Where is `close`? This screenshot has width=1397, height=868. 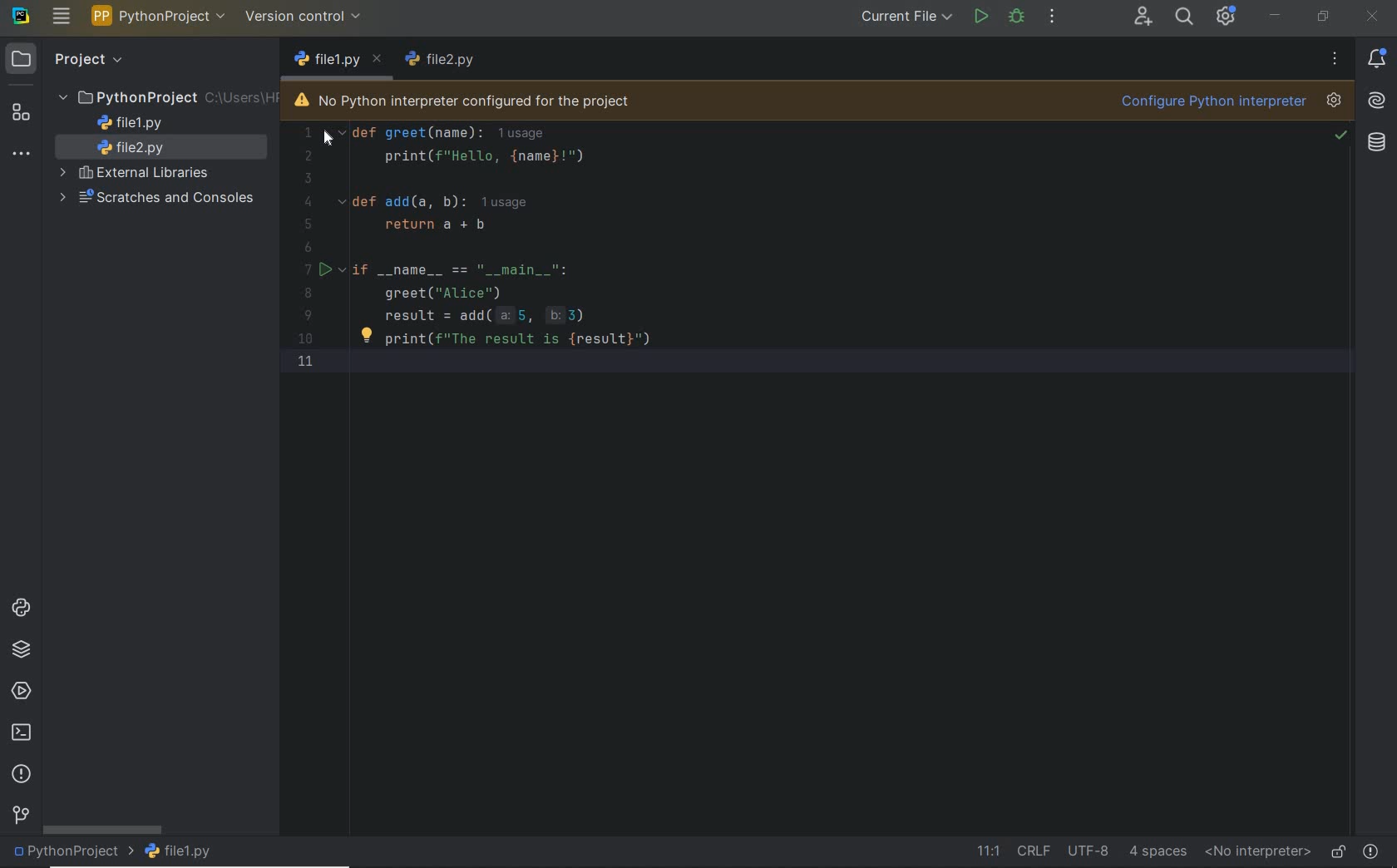 close is located at coordinates (1371, 16).